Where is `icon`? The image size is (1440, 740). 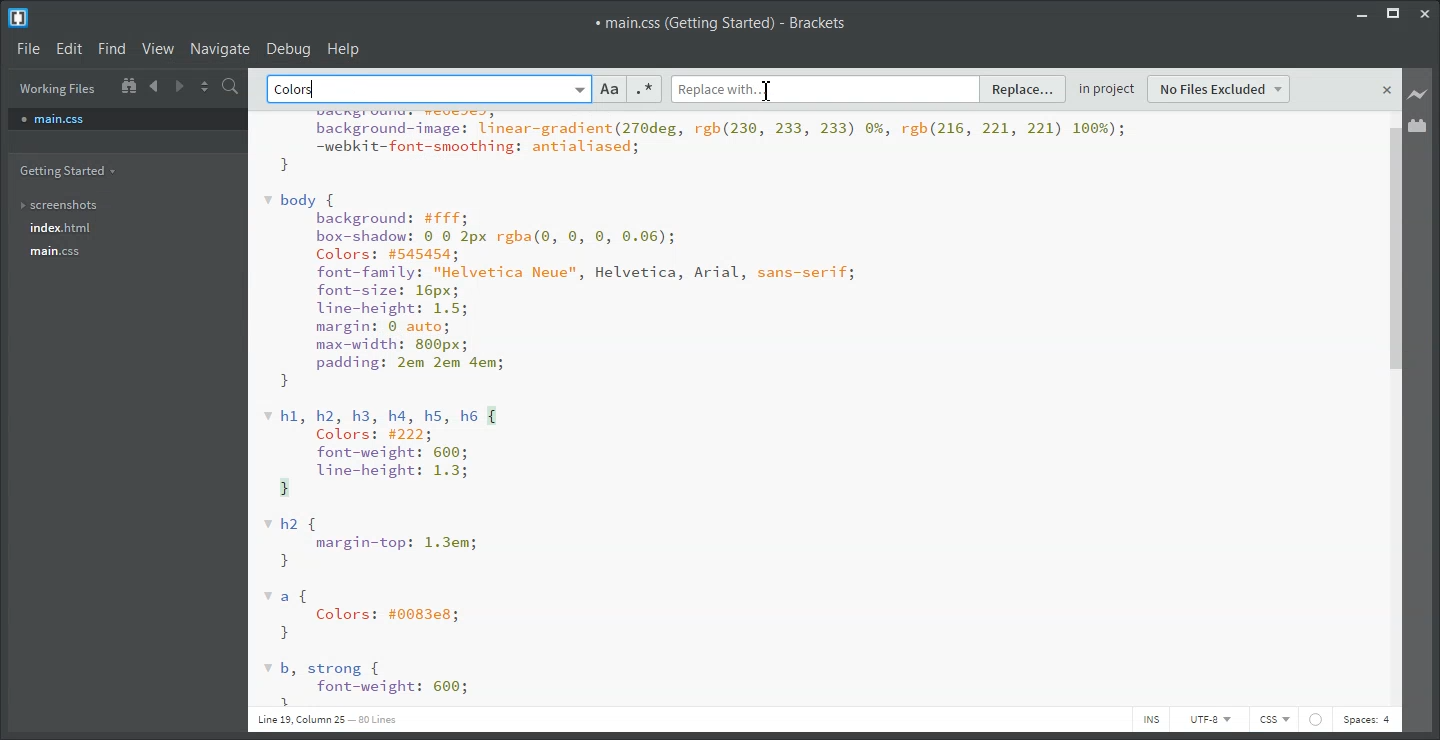 icon is located at coordinates (1315, 719).